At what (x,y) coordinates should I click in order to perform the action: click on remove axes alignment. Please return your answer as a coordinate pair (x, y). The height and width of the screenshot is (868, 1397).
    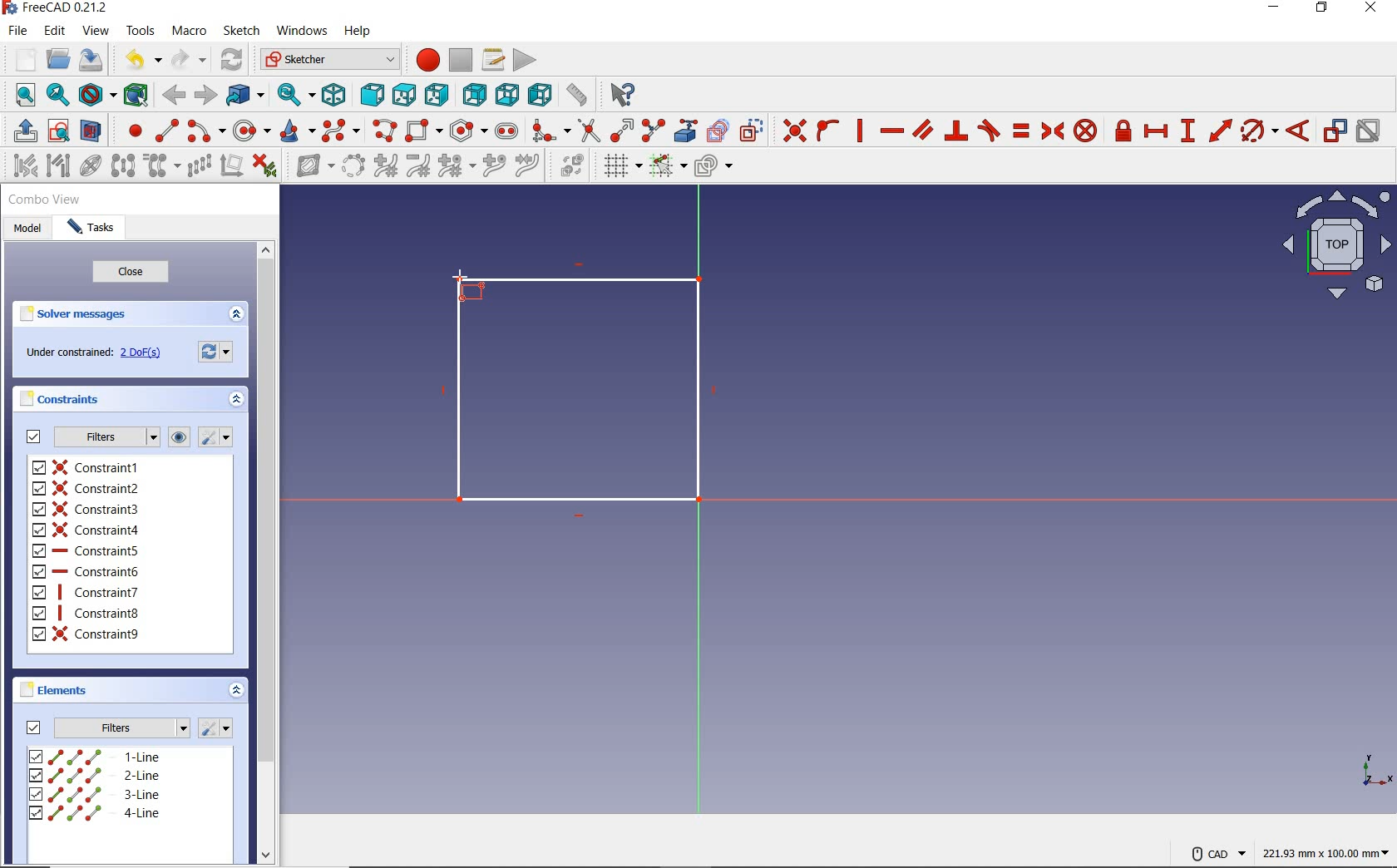
    Looking at the image, I should click on (231, 167).